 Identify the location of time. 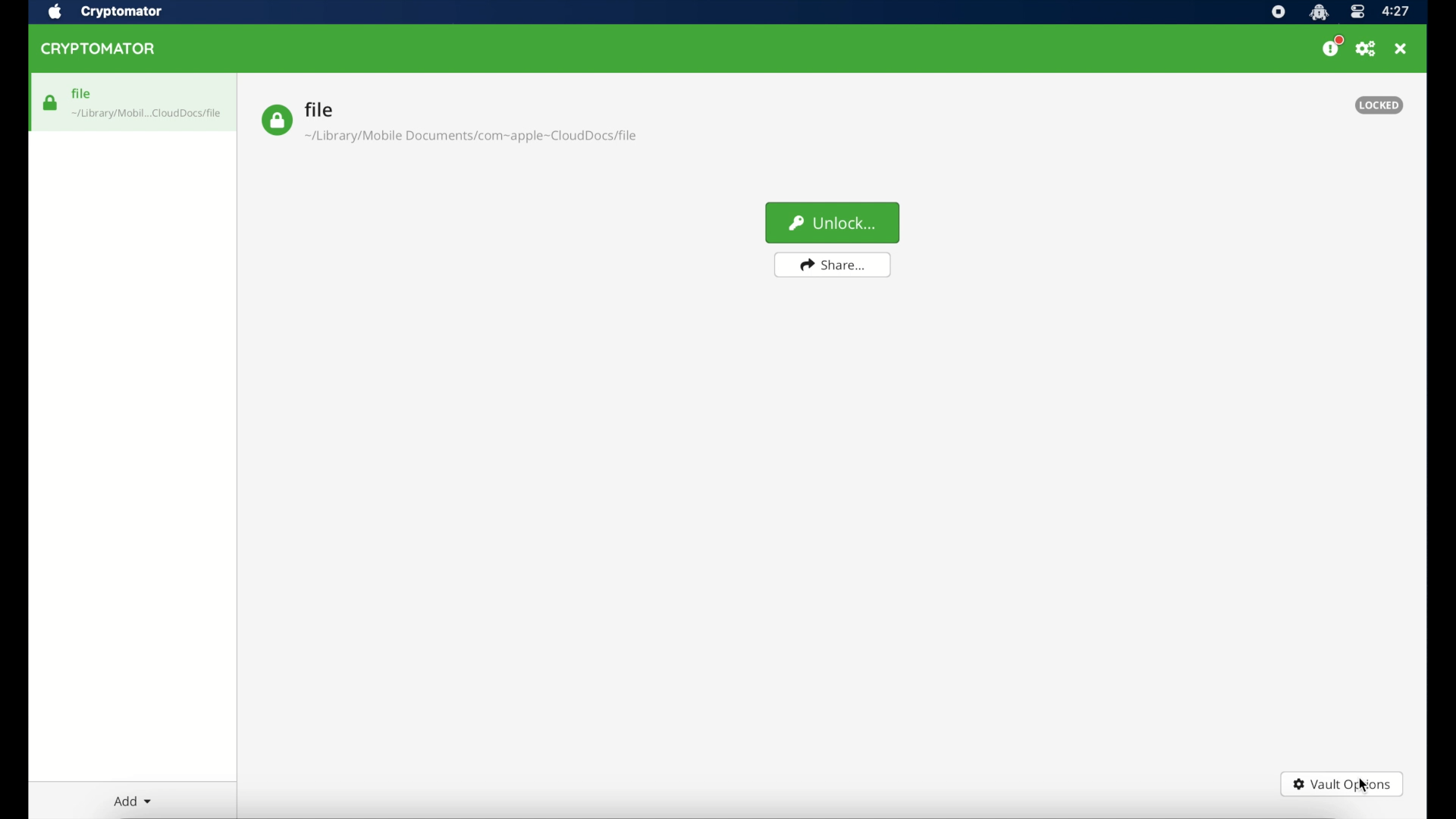
(1397, 11).